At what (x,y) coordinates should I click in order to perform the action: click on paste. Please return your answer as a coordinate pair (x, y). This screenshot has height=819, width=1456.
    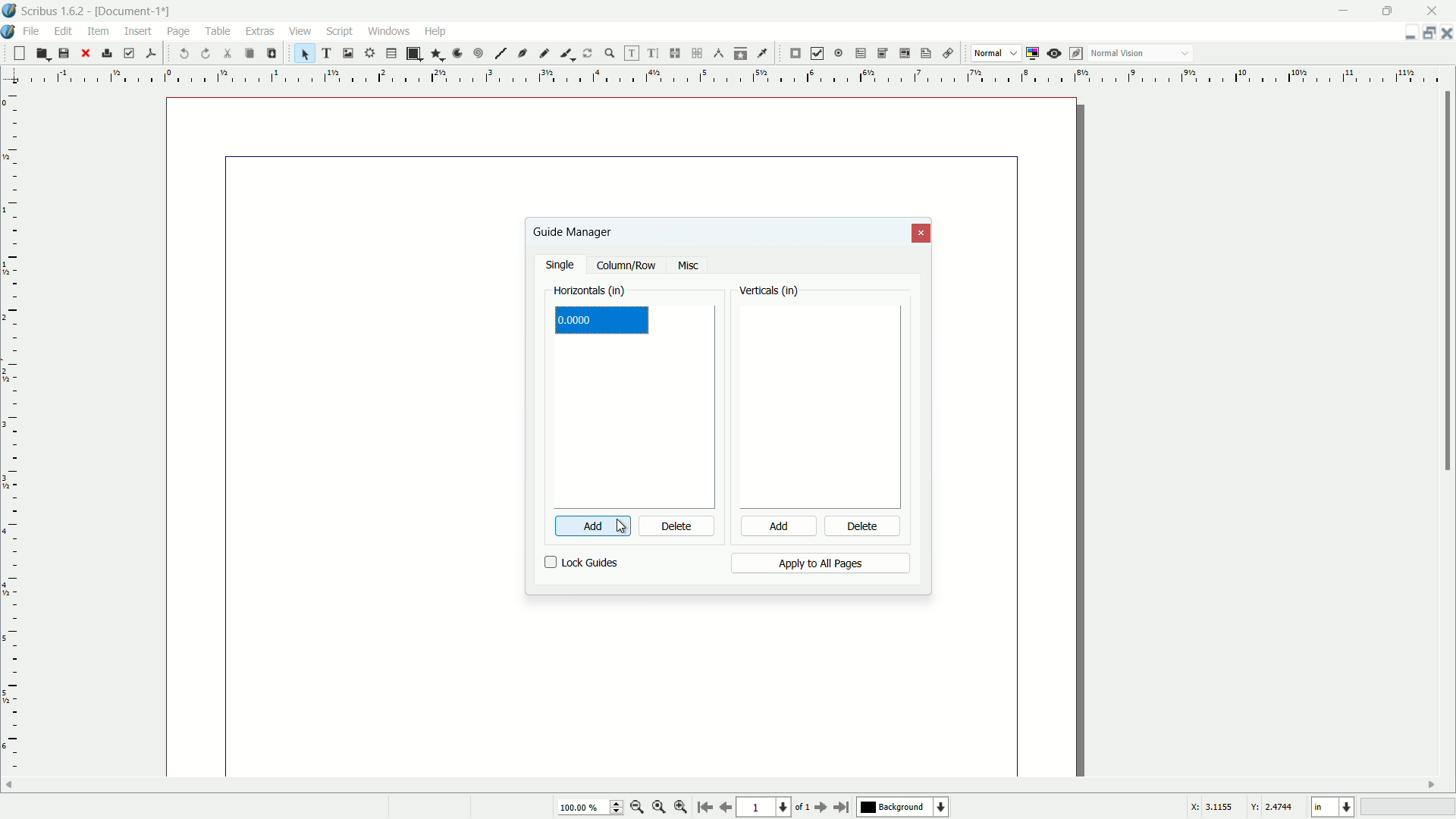
    Looking at the image, I should click on (271, 53).